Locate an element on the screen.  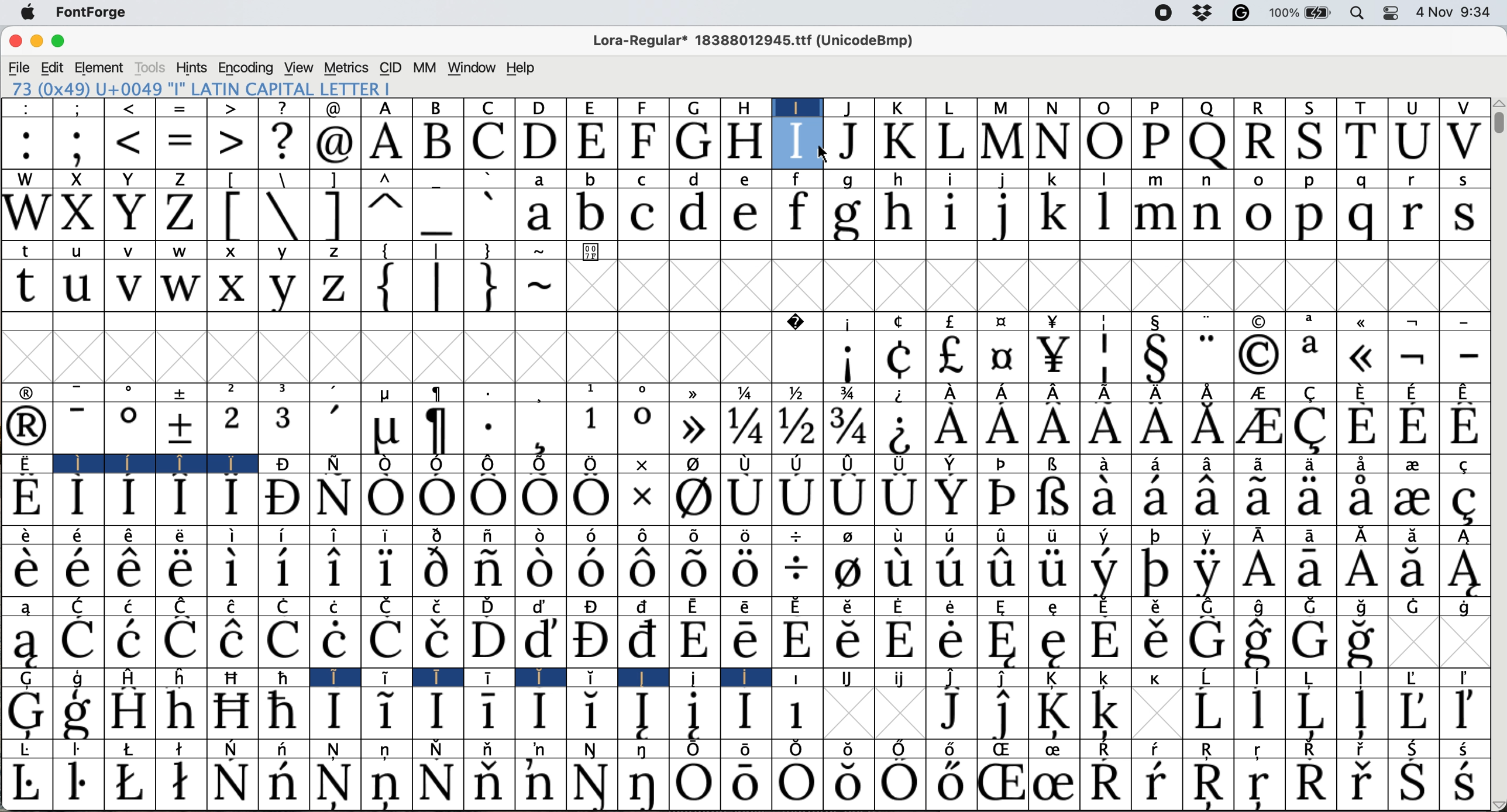
font forge is located at coordinates (98, 12).